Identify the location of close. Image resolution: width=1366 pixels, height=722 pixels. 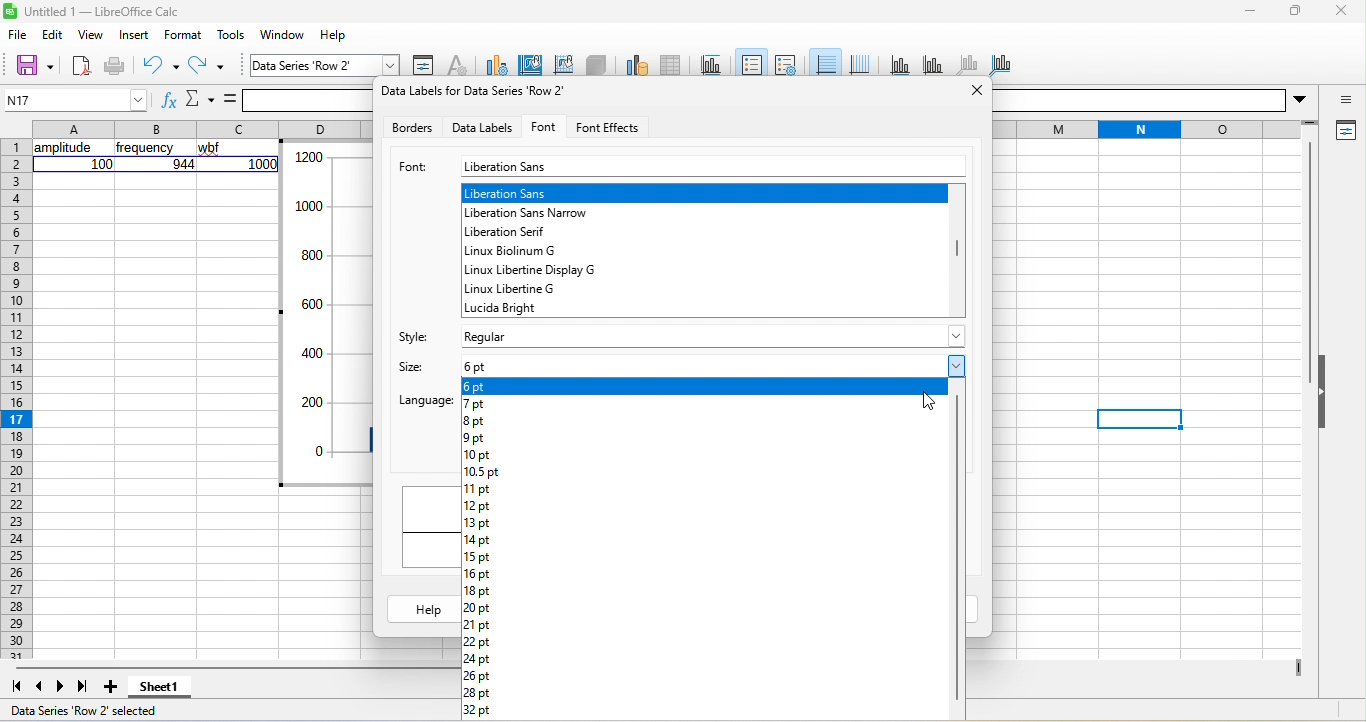
(976, 96).